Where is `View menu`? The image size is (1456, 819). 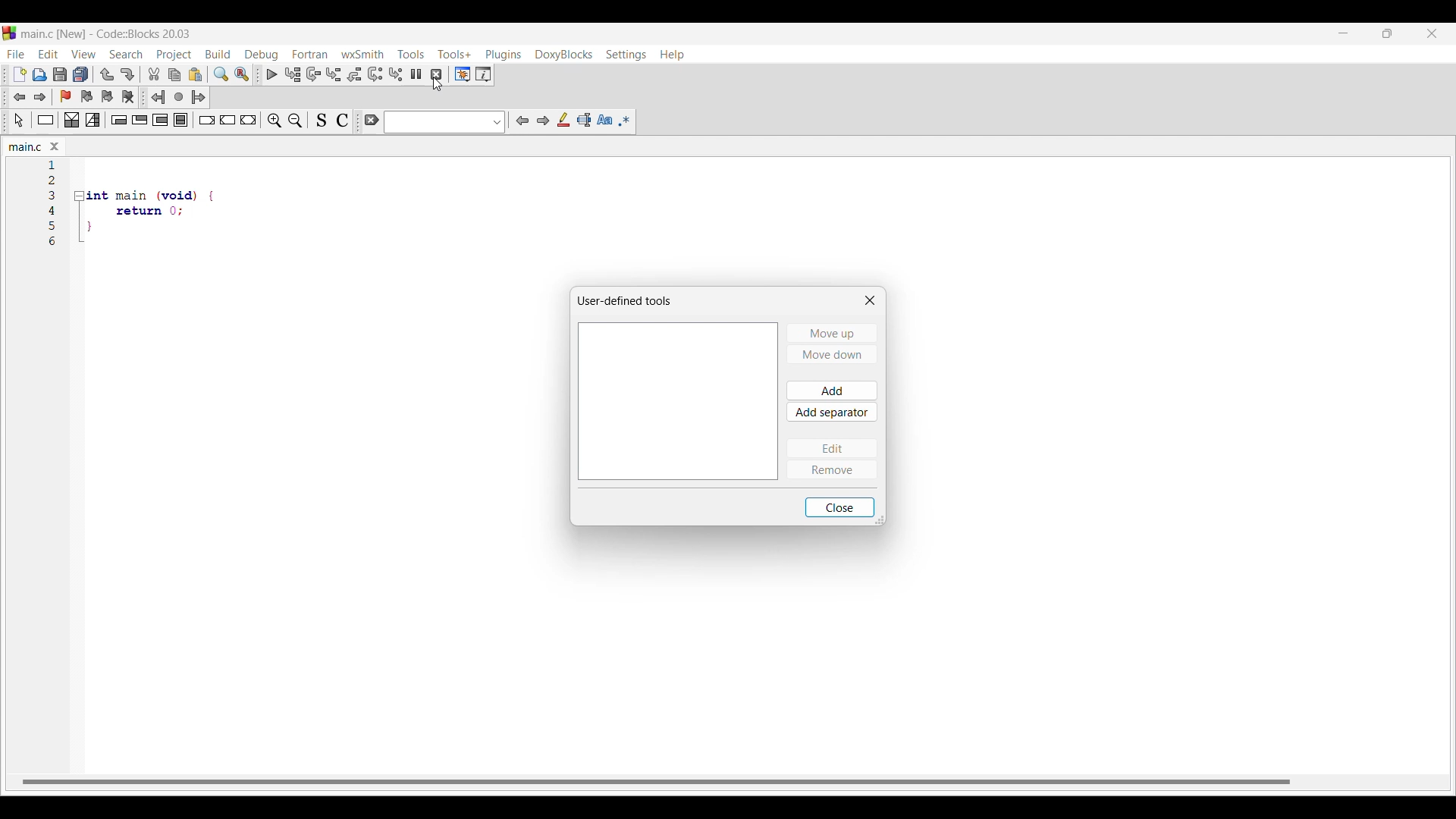 View menu is located at coordinates (83, 55).